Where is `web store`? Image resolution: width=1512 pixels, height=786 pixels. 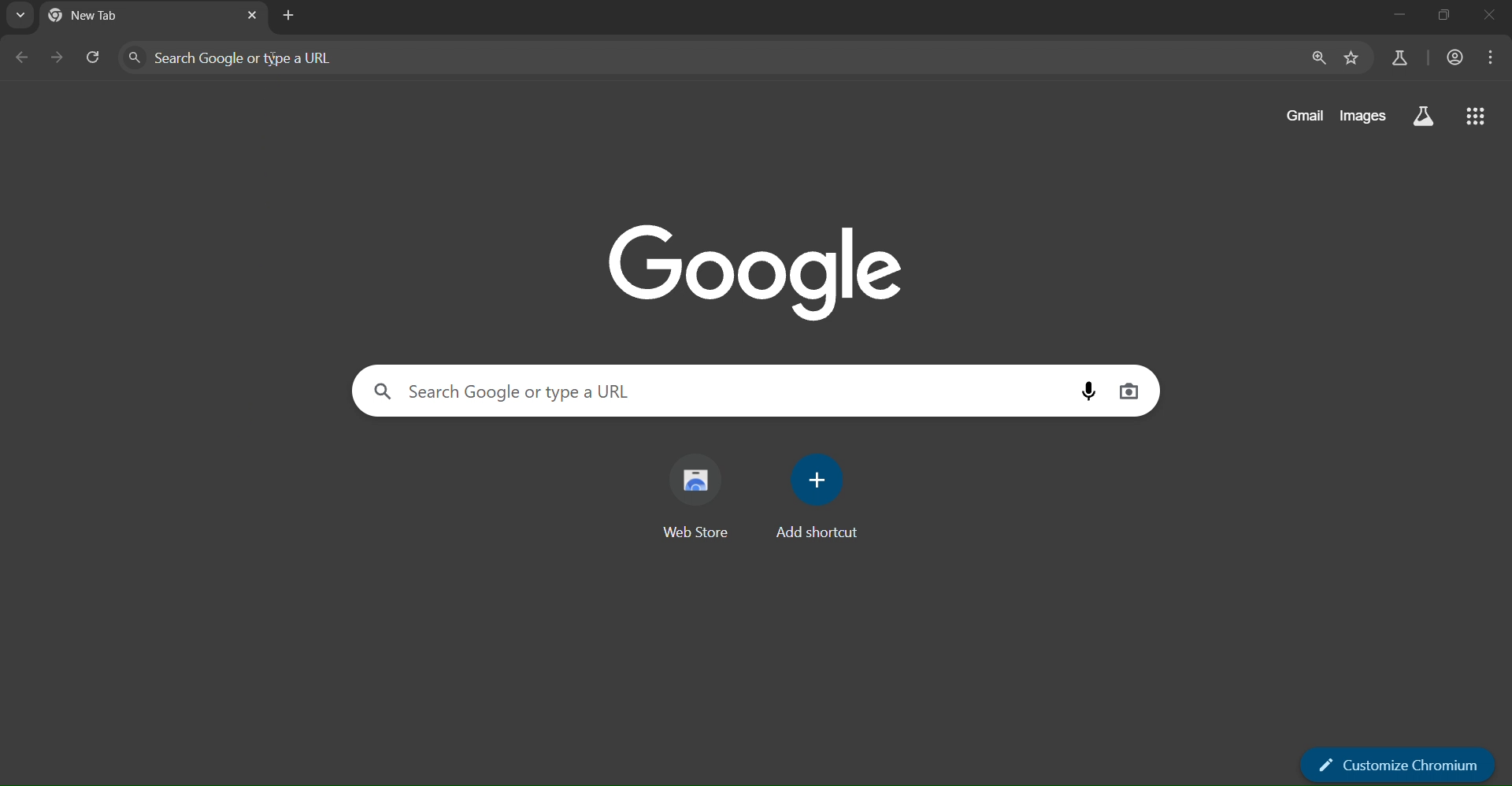 web store is located at coordinates (699, 495).